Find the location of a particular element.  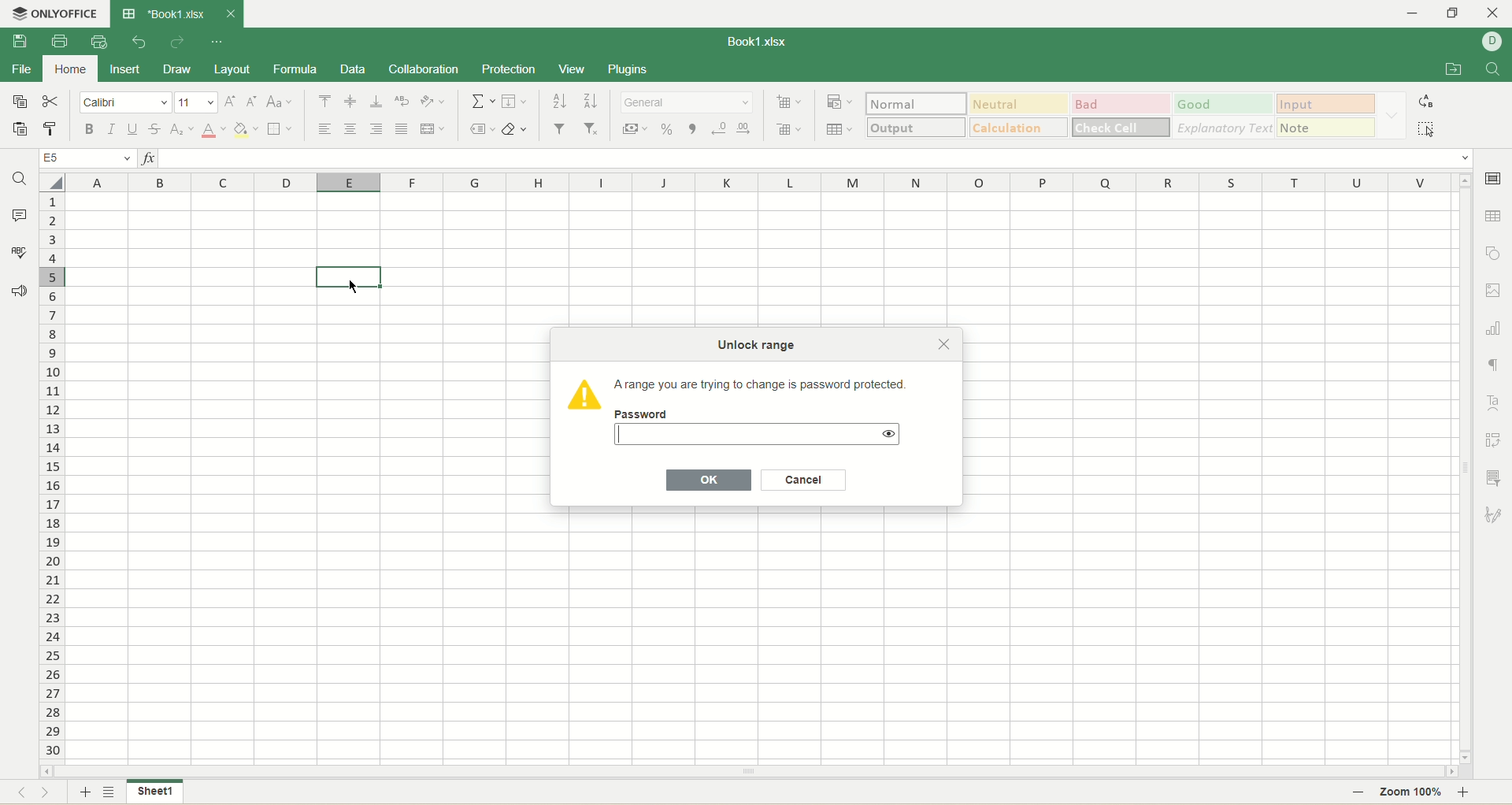

align bottom is located at coordinates (376, 102).